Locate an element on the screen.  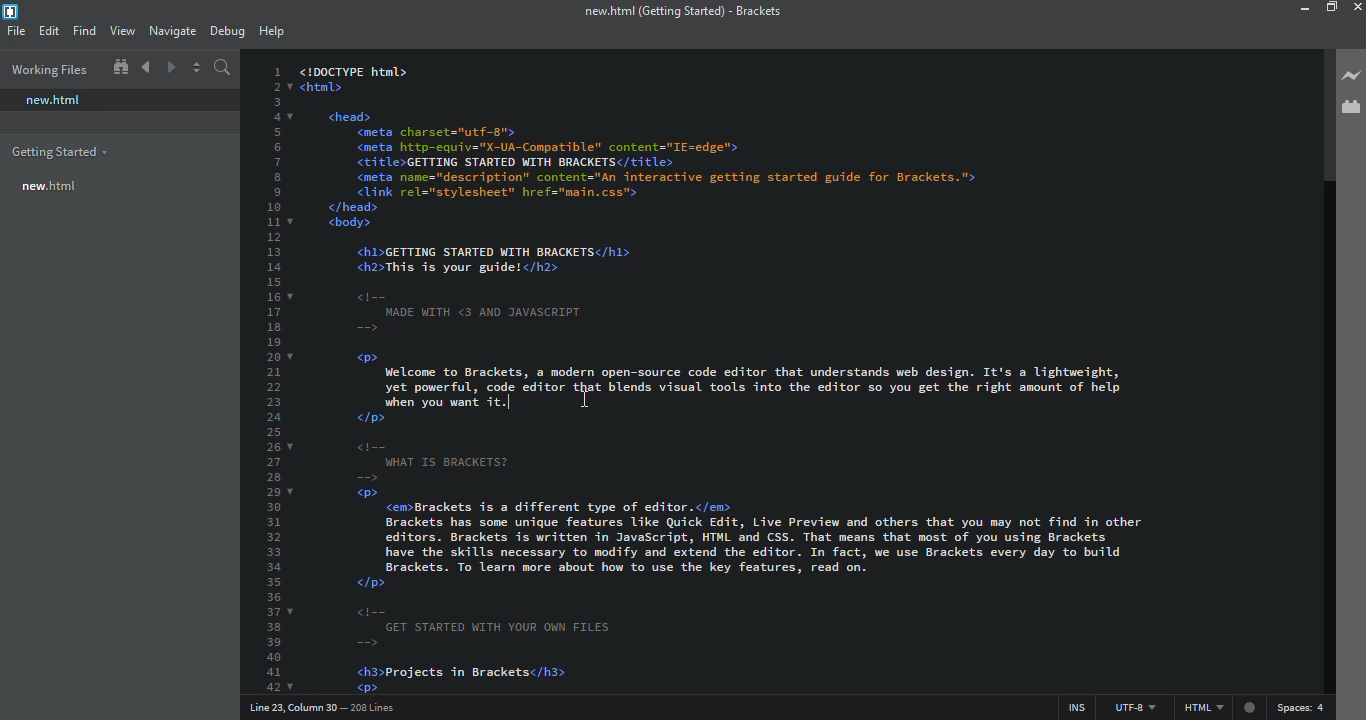
working files is located at coordinates (52, 70).